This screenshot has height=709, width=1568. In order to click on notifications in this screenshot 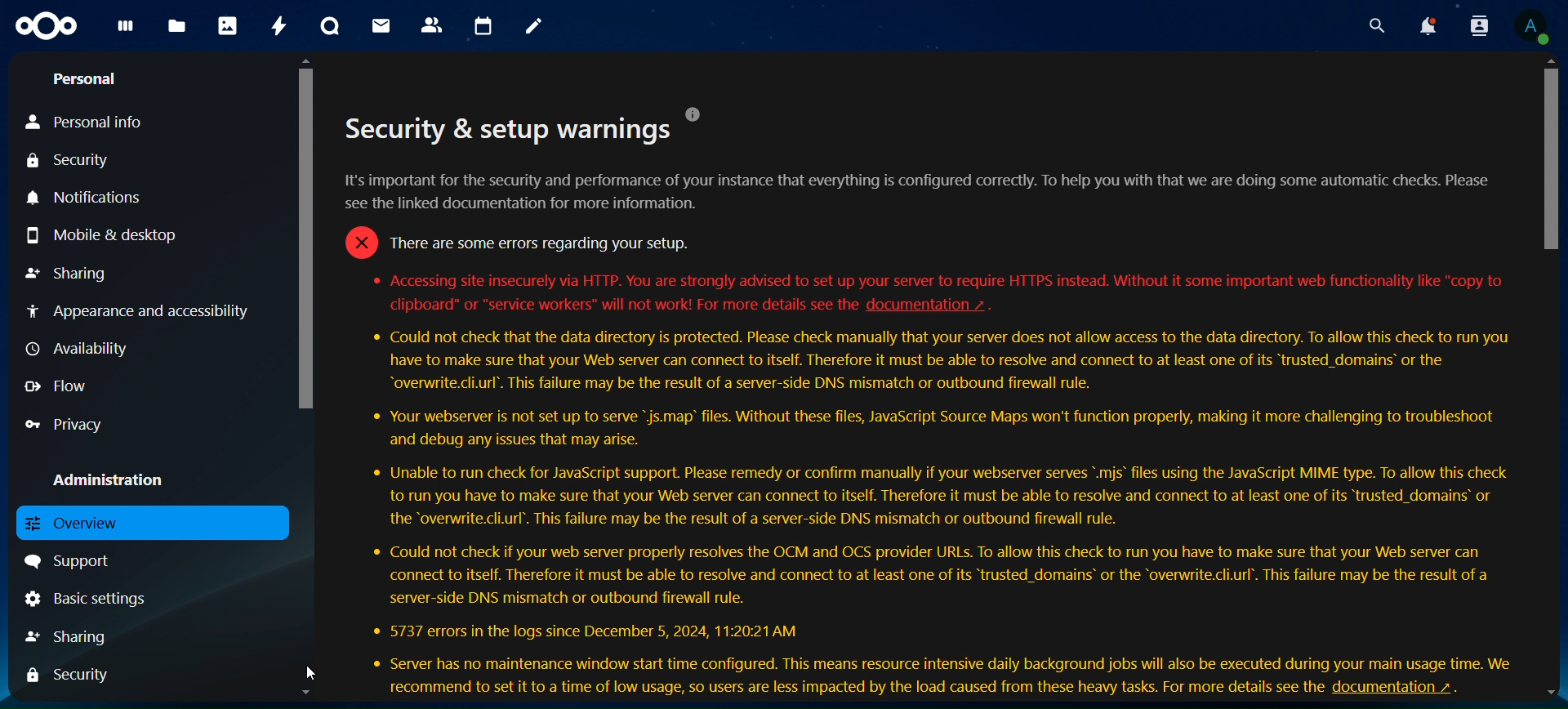, I will do `click(1420, 25)`.